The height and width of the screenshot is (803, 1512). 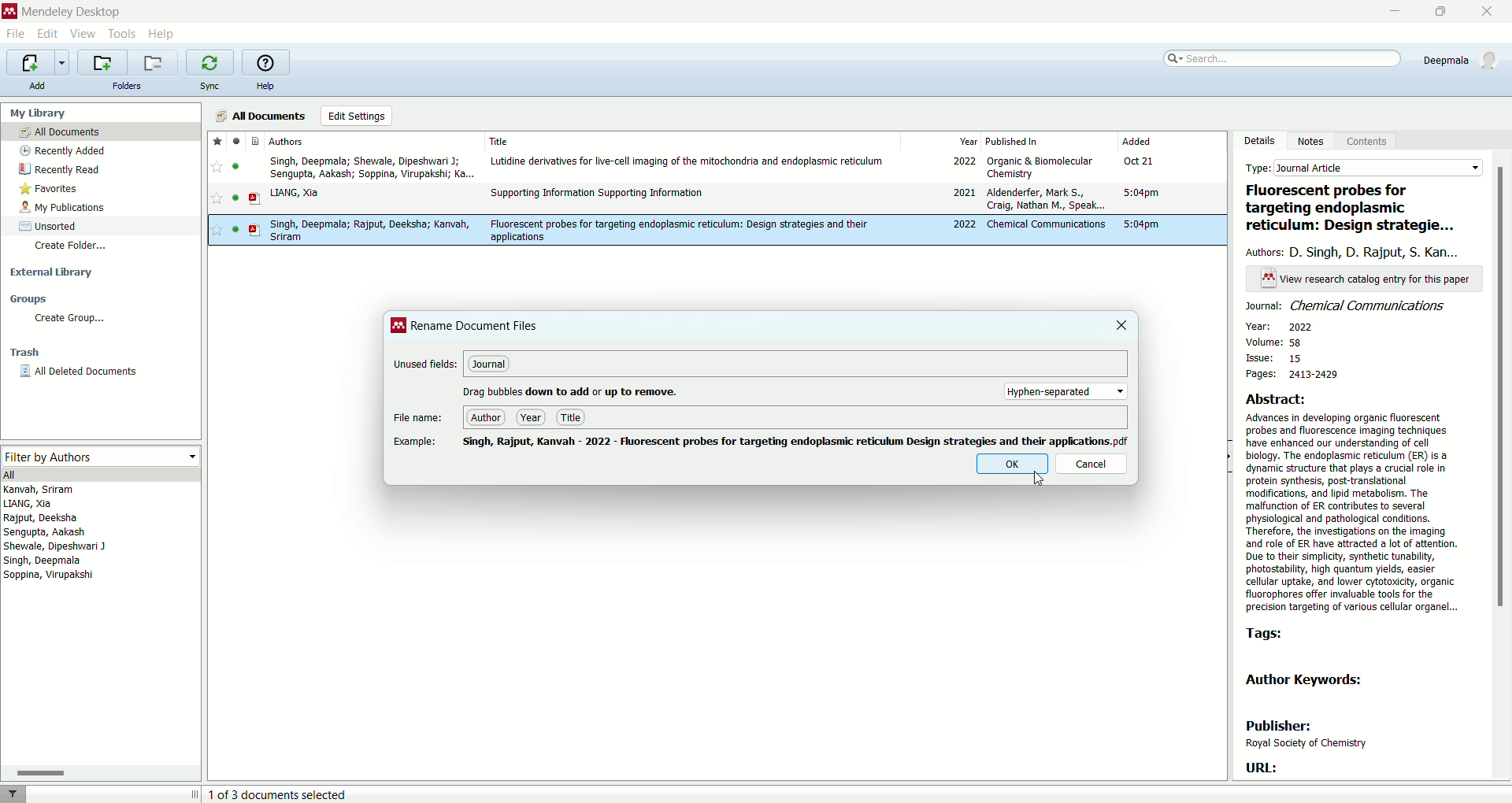 What do you see at coordinates (261, 114) in the screenshot?
I see `all documents` at bounding box center [261, 114].